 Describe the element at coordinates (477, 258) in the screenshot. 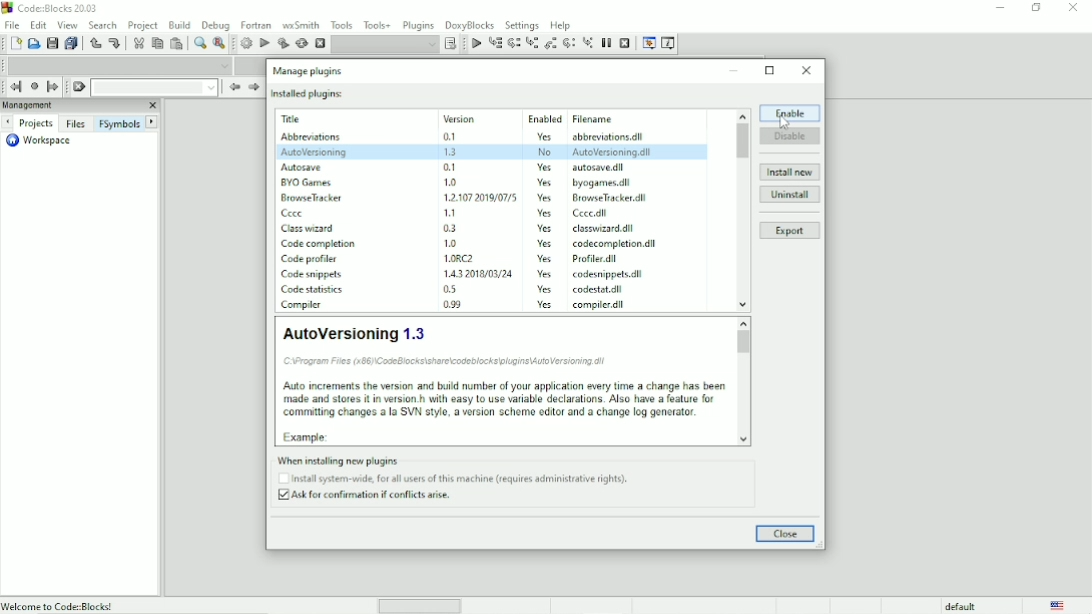

I see `version ` at that location.